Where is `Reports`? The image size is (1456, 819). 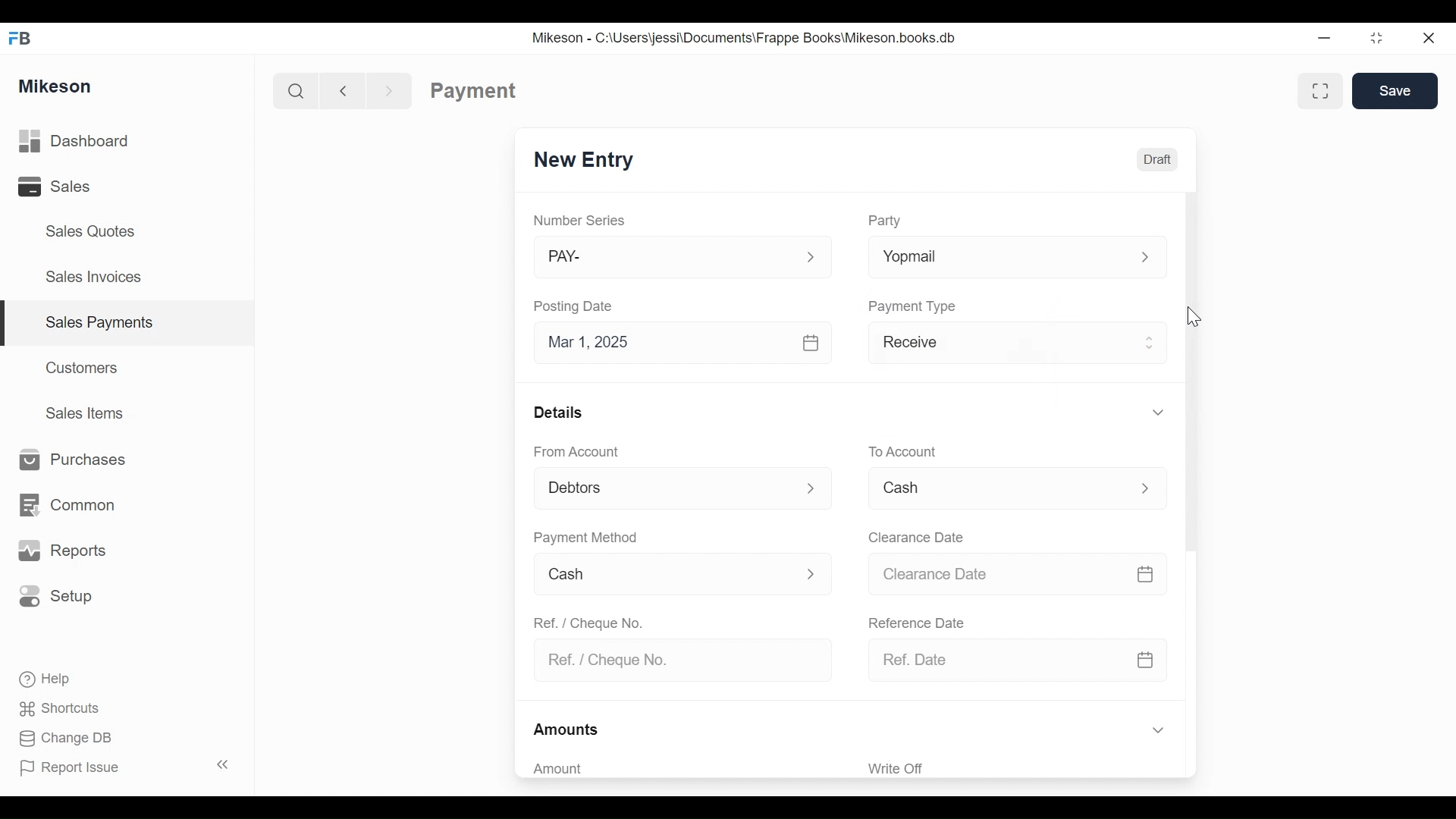
Reports is located at coordinates (65, 551).